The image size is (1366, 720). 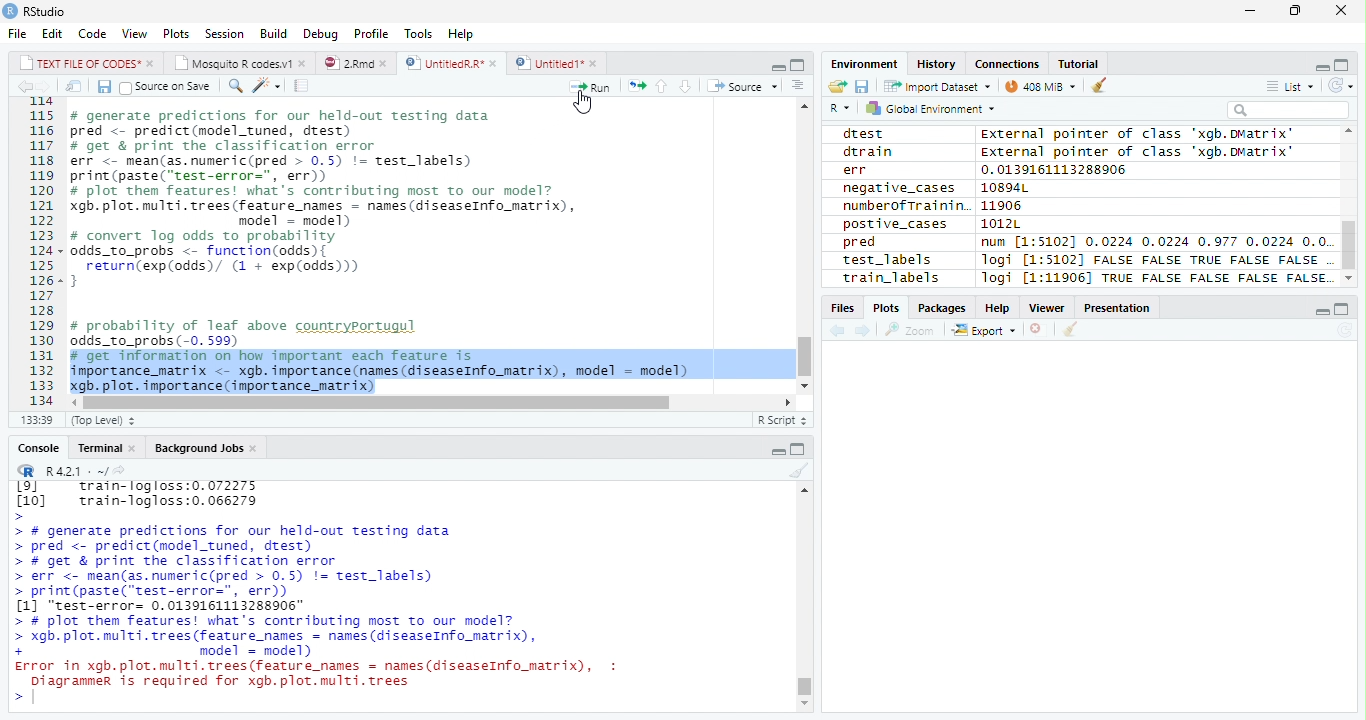 I want to click on 1:1, so click(x=38, y=419).